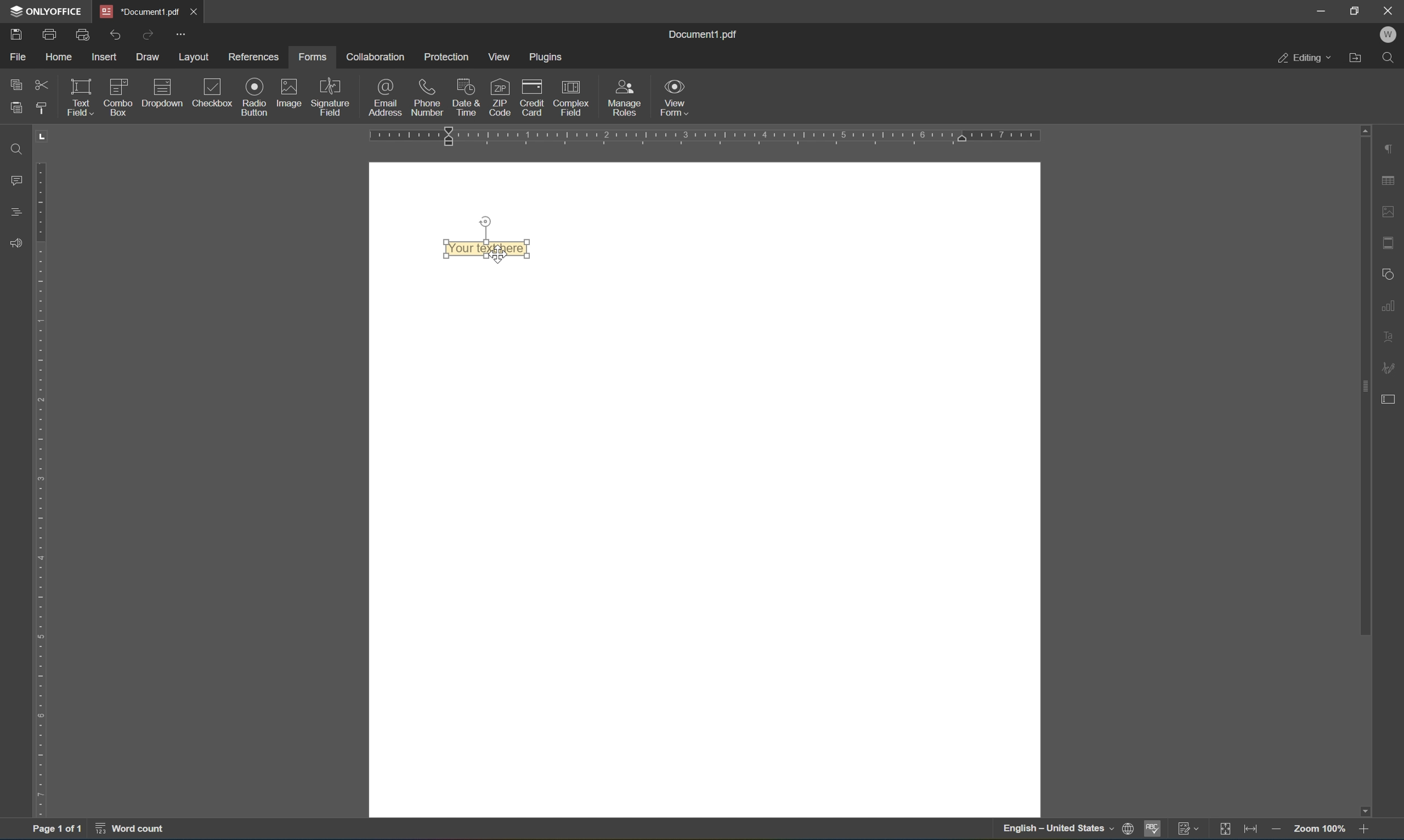  I want to click on draw, so click(149, 58).